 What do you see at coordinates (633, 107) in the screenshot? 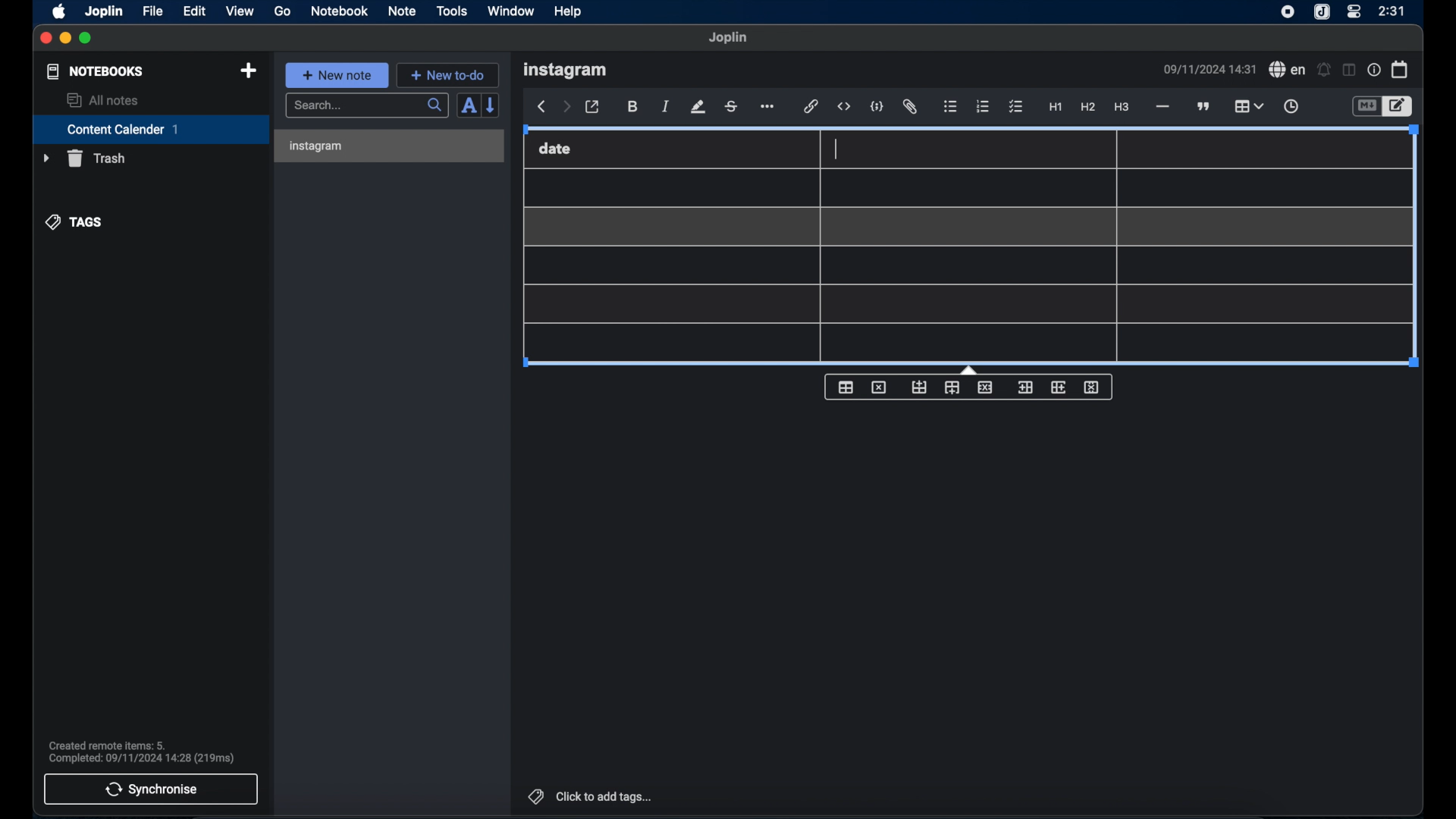
I see `bold` at bounding box center [633, 107].